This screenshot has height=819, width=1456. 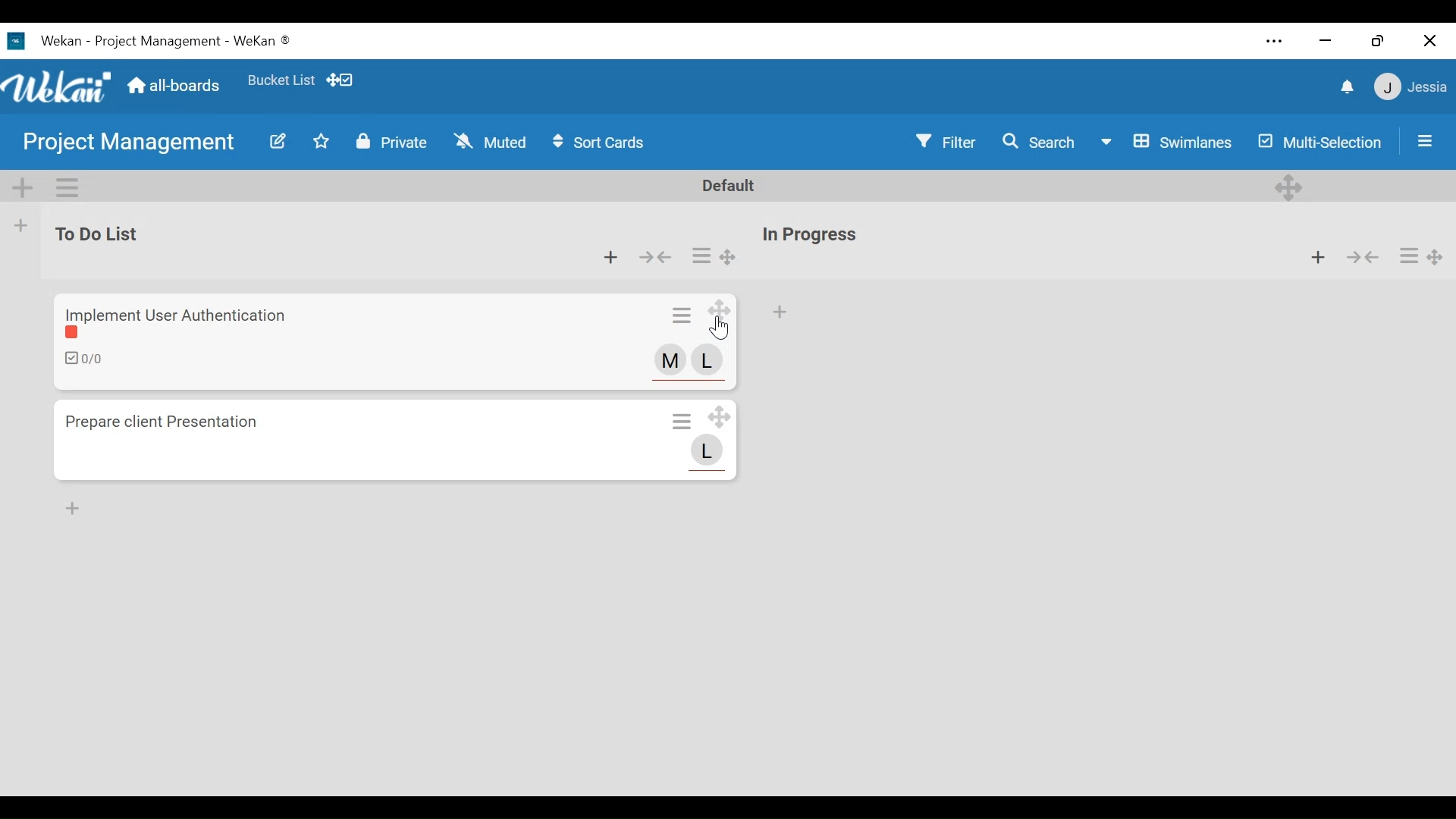 What do you see at coordinates (706, 361) in the screenshot?
I see `Member` at bounding box center [706, 361].